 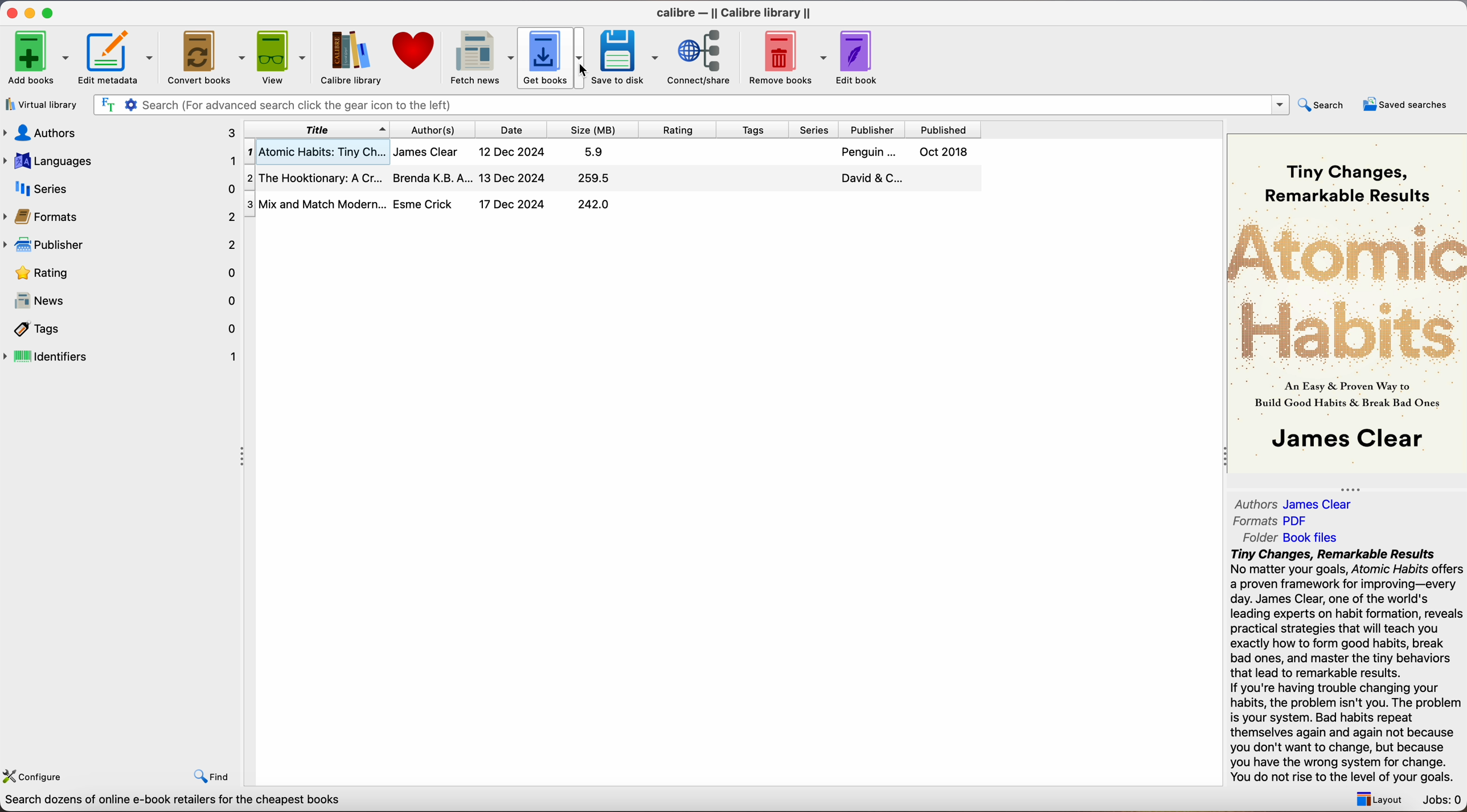 I want to click on Mix and Match Modern..., so click(x=433, y=205).